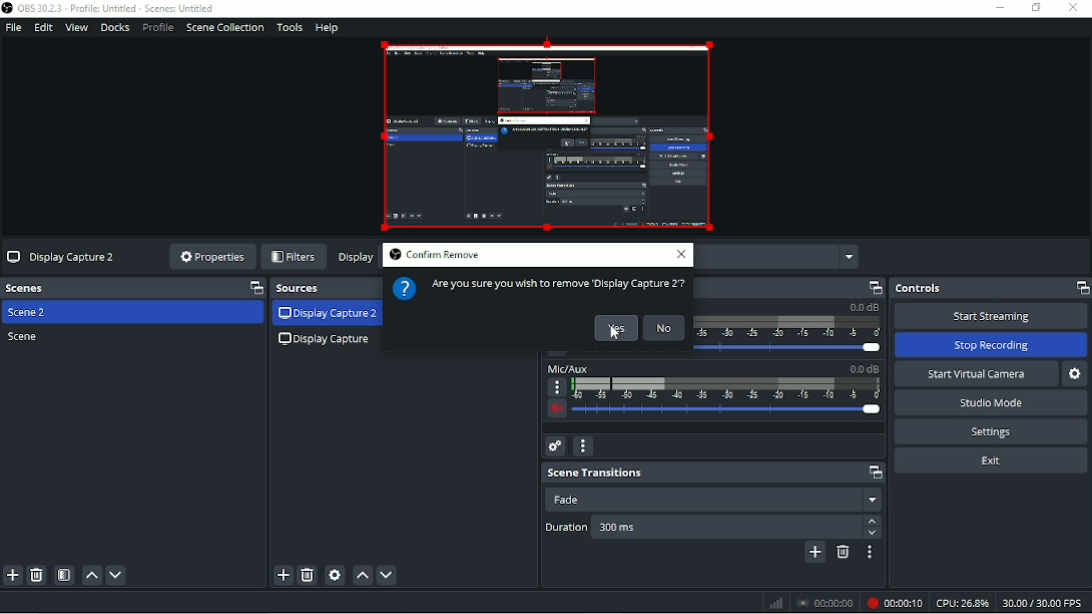  What do you see at coordinates (207, 257) in the screenshot?
I see `Properties` at bounding box center [207, 257].